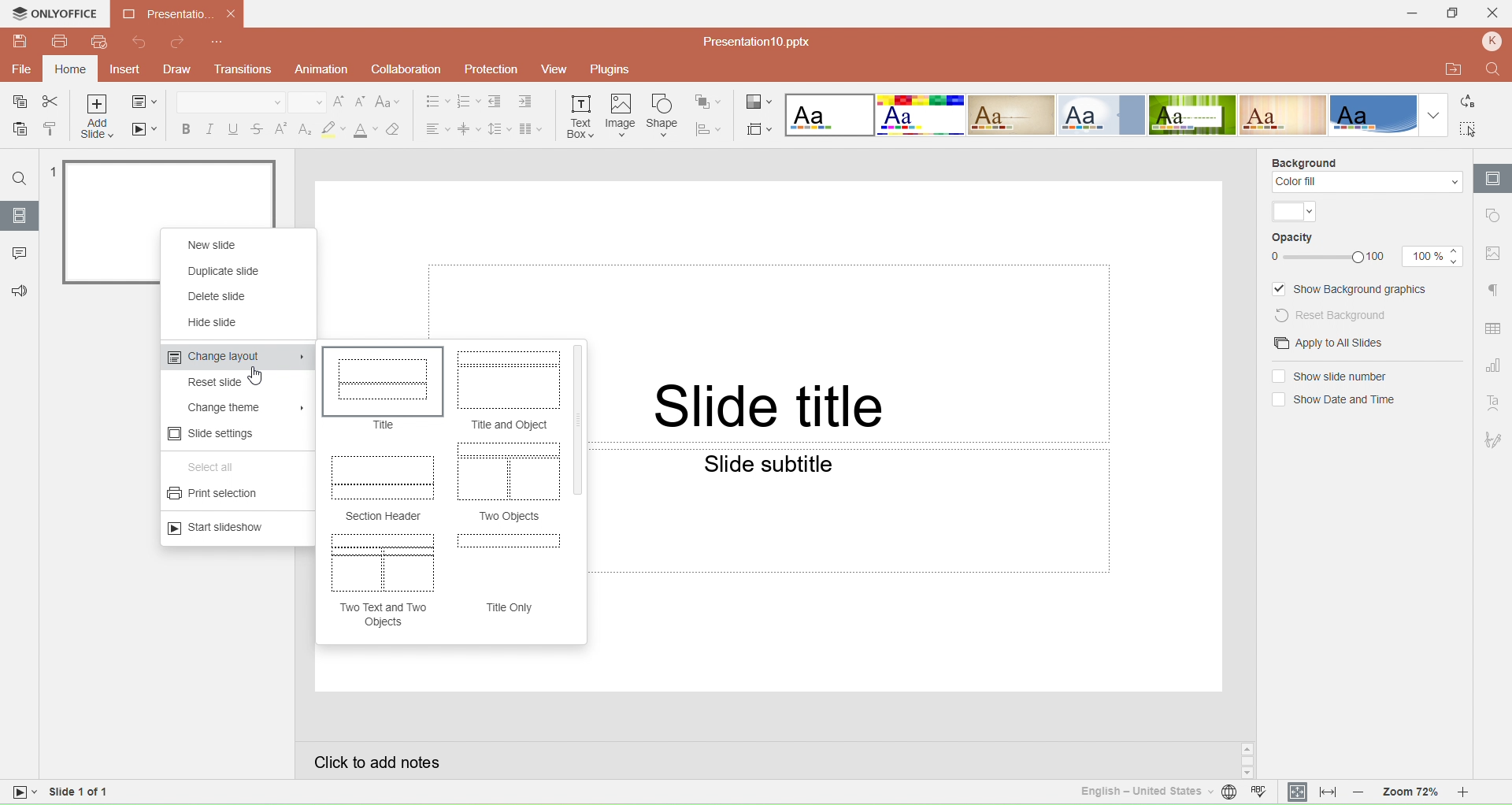 The width and height of the screenshot is (1512, 805). I want to click on Slide setting, so click(1492, 217).